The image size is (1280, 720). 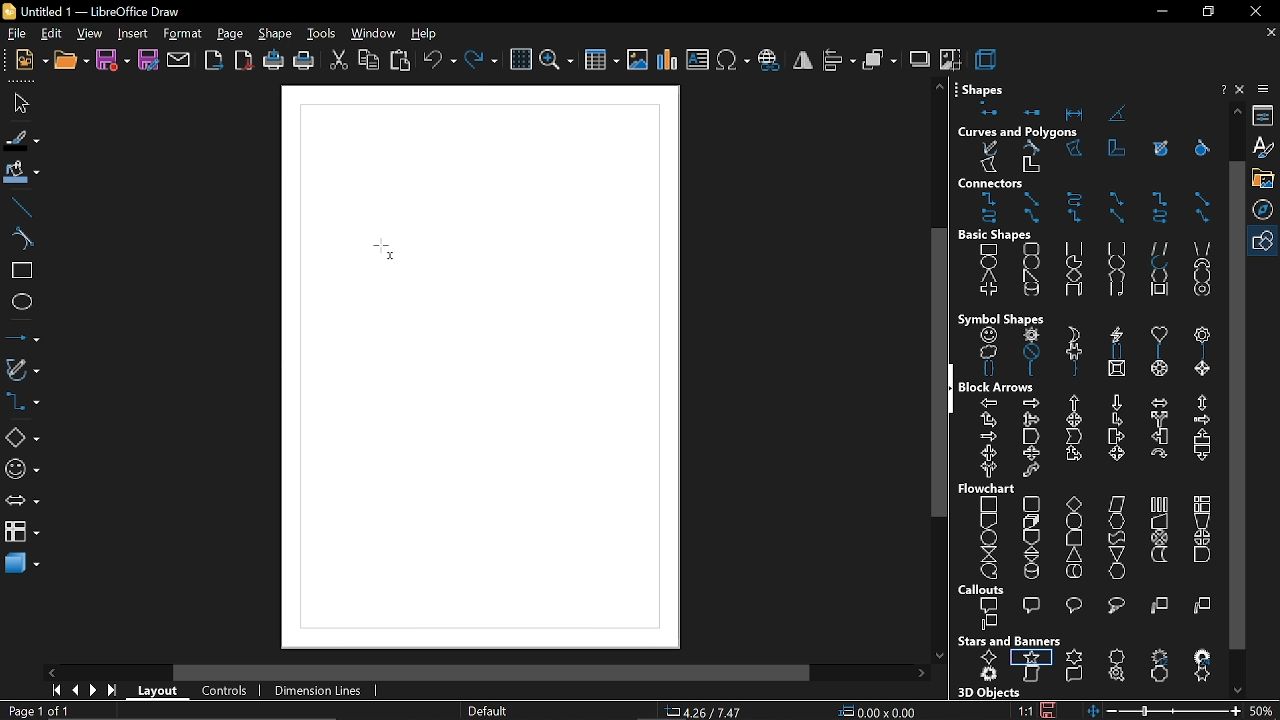 What do you see at coordinates (224, 691) in the screenshot?
I see `controls` at bounding box center [224, 691].